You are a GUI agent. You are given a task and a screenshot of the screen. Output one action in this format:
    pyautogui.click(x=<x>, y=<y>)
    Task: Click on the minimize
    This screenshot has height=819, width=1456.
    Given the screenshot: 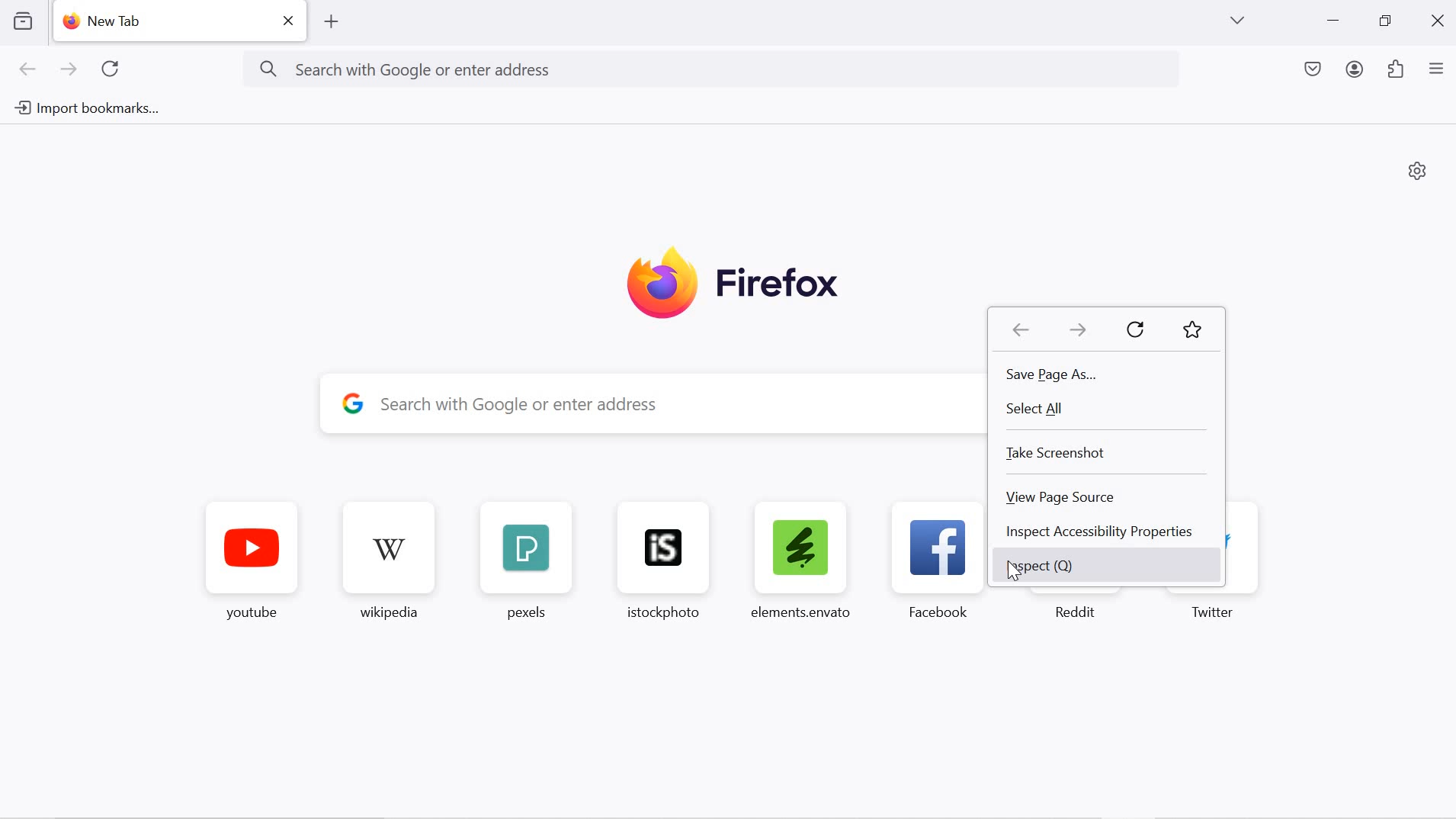 What is the action you would take?
    pyautogui.click(x=1333, y=19)
    